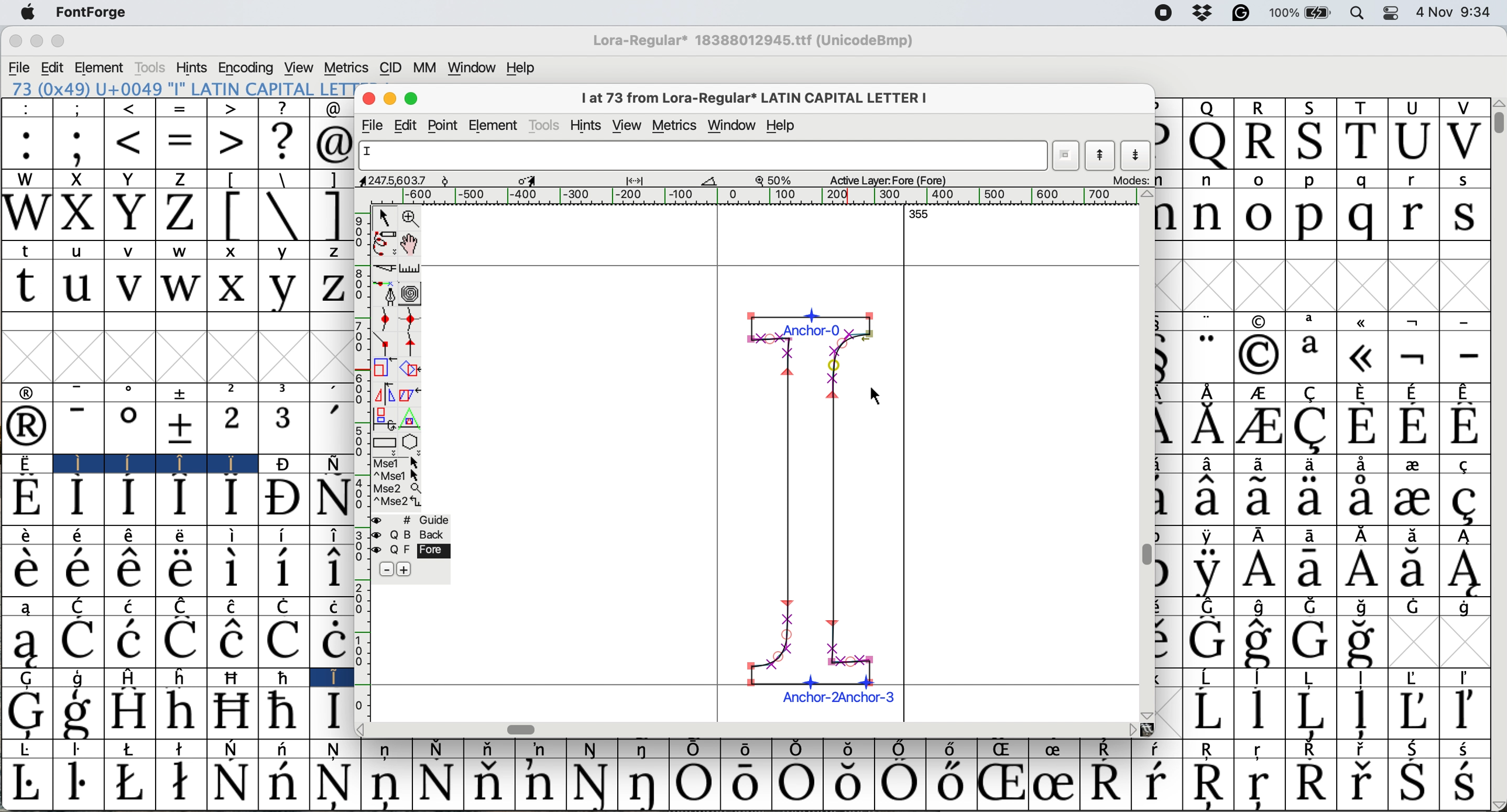 This screenshot has width=1507, height=812. What do you see at coordinates (388, 99) in the screenshot?
I see `minimise` at bounding box center [388, 99].